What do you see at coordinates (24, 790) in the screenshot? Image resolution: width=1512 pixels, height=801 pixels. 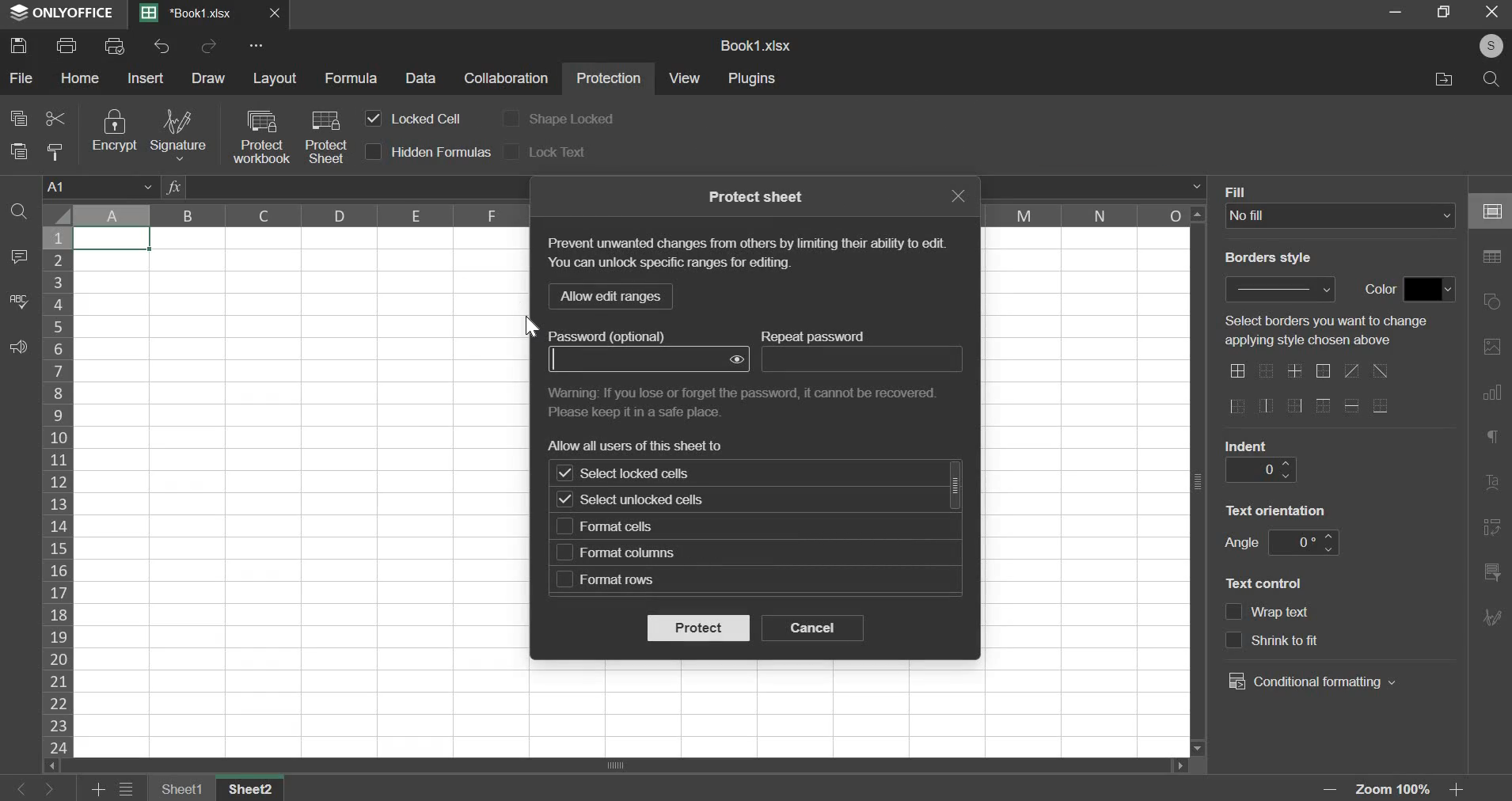 I see `left` at bounding box center [24, 790].